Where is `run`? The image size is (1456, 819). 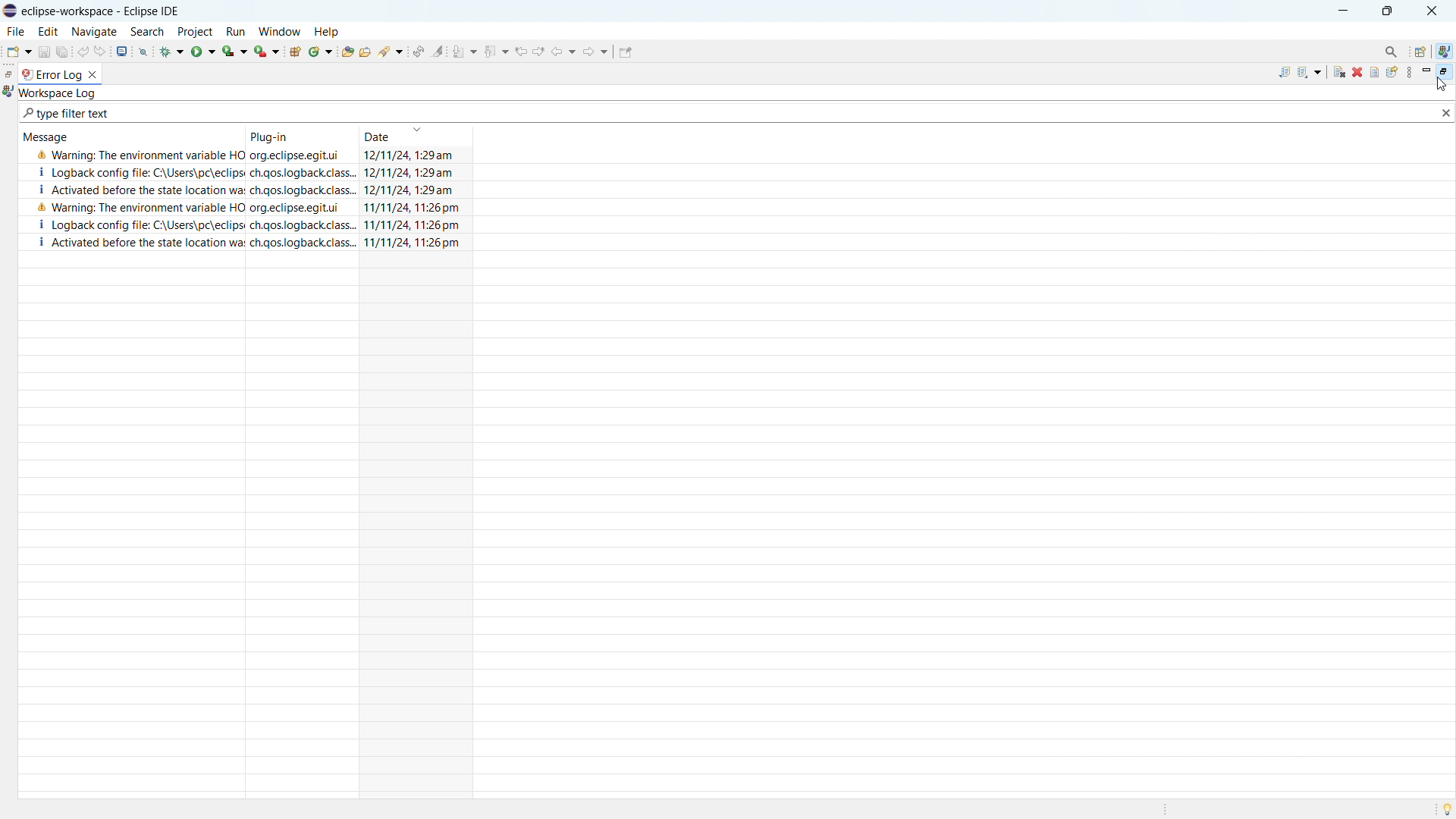 run is located at coordinates (240, 31).